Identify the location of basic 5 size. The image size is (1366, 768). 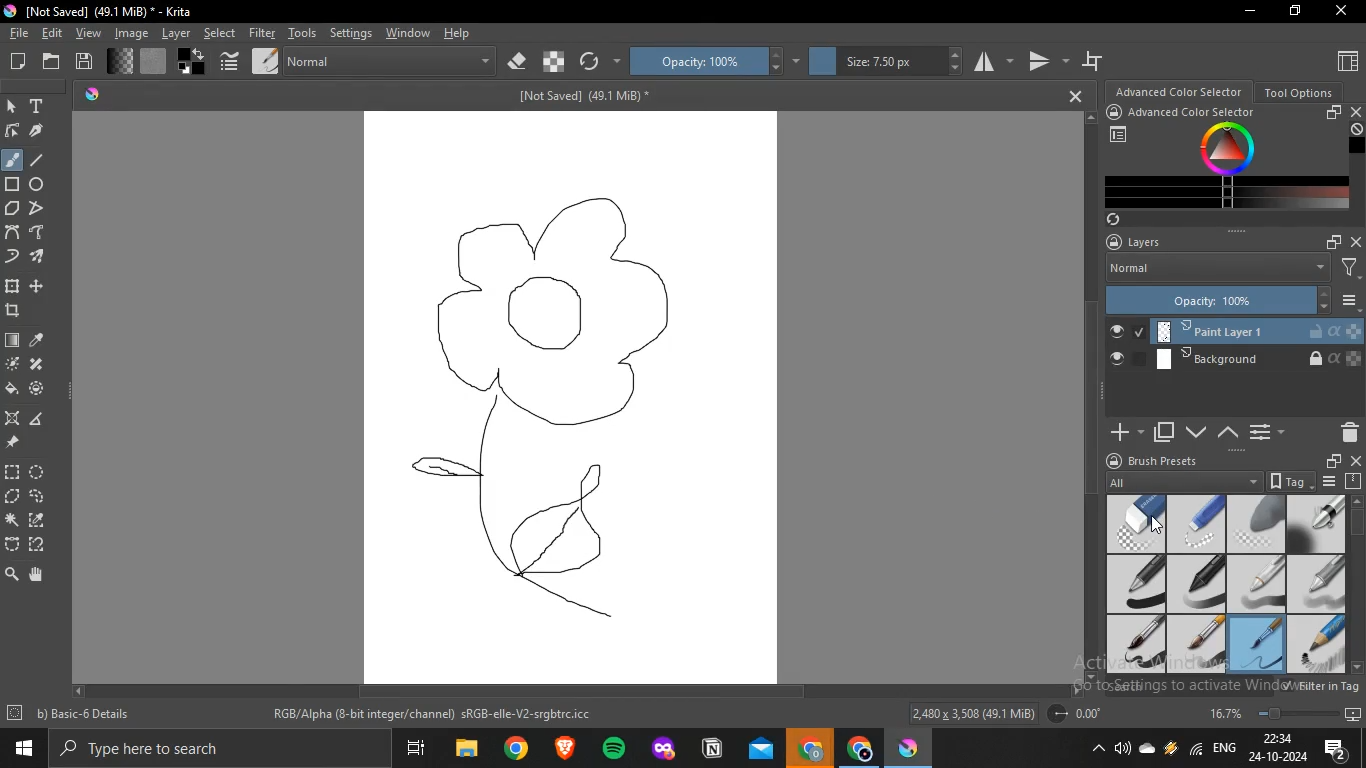
(1138, 644).